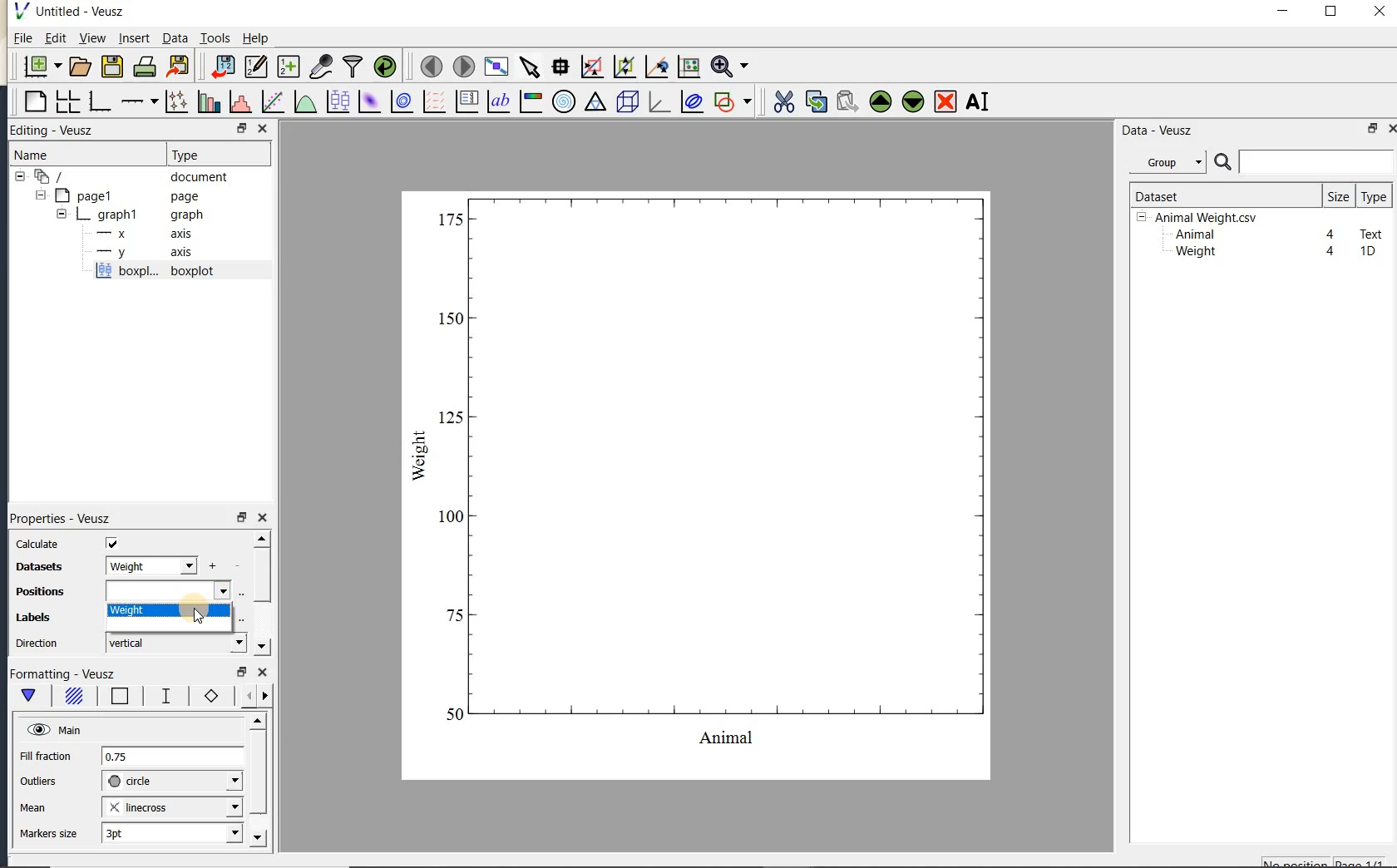 The width and height of the screenshot is (1397, 868). I want to click on text label, so click(498, 103).